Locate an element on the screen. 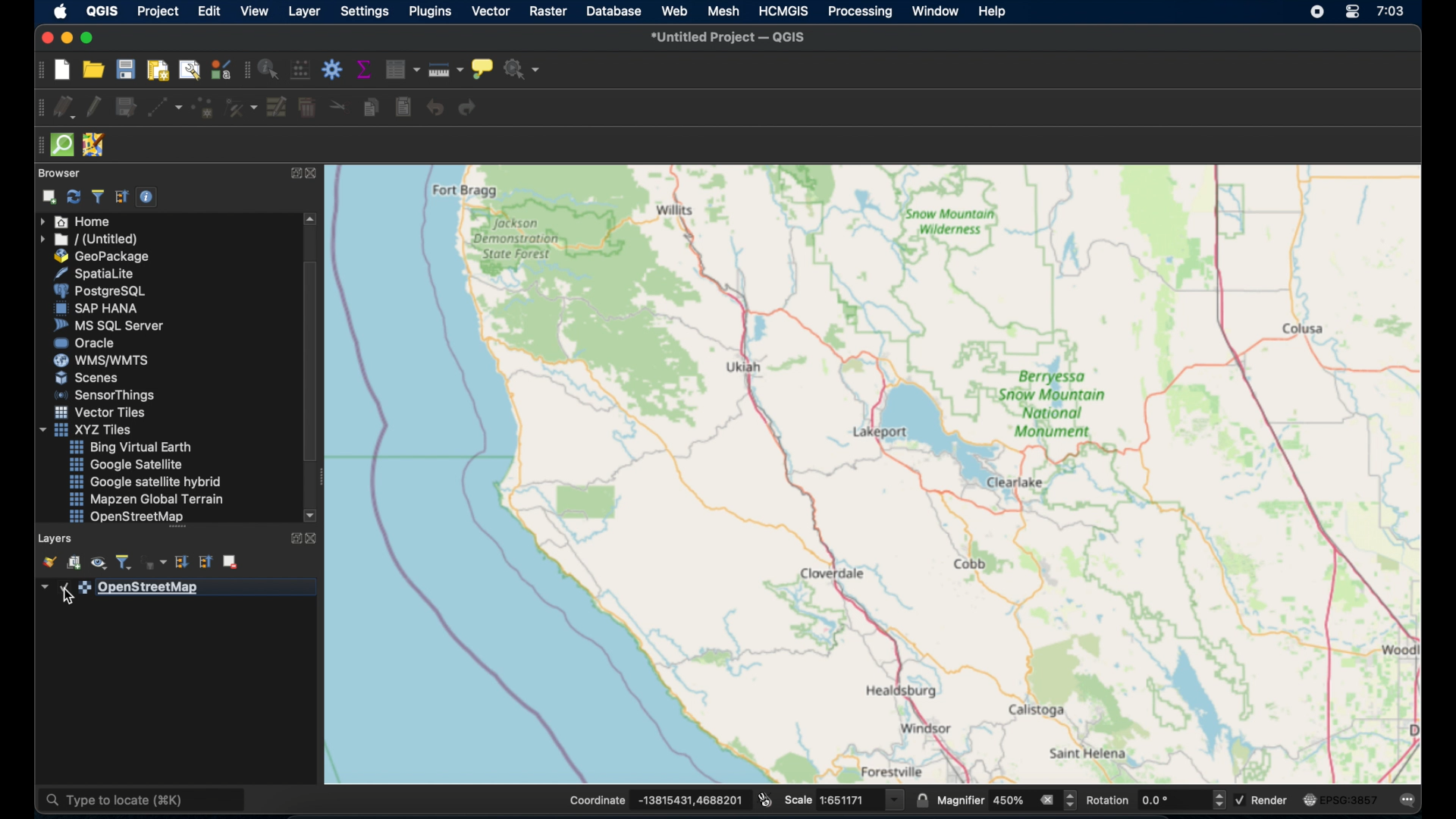  modify attributes is located at coordinates (278, 108).